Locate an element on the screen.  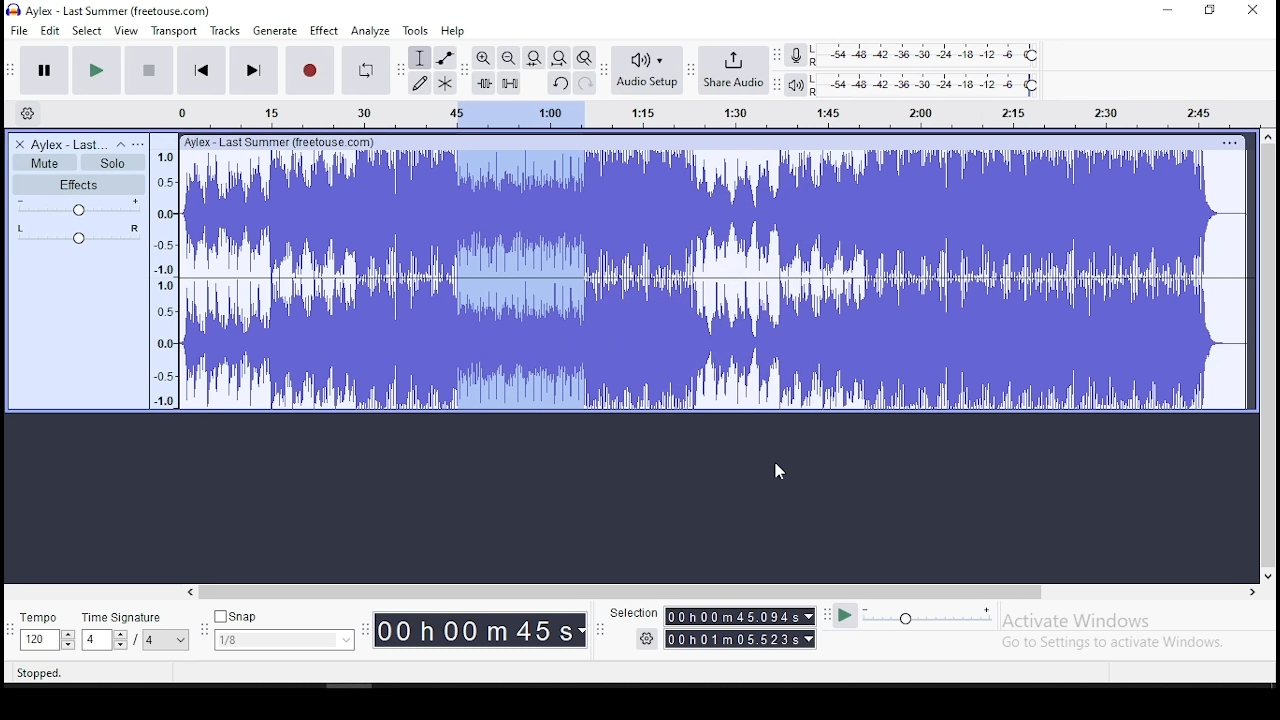
enable looping is located at coordinates (366, 70).